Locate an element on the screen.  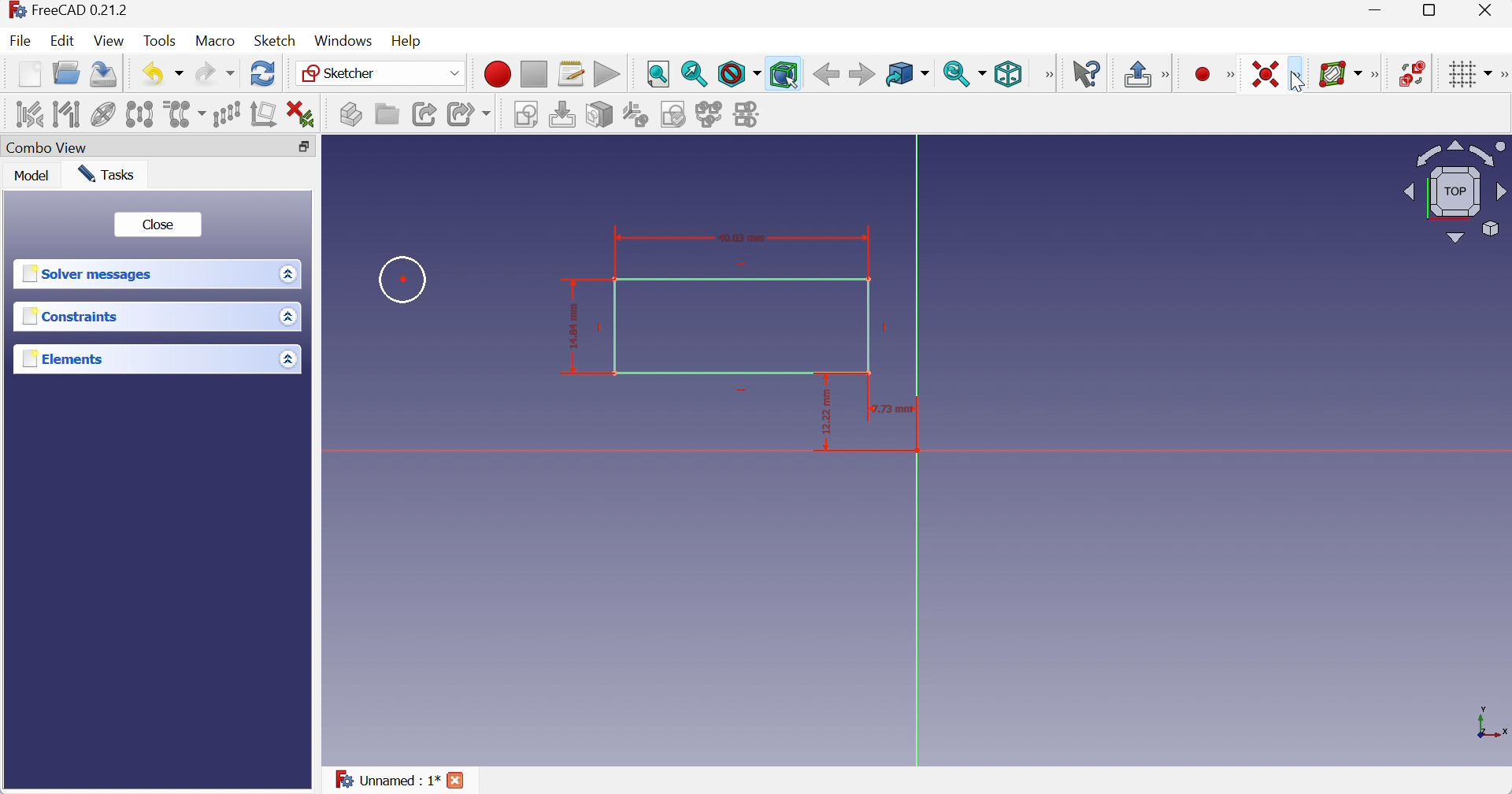
[View] is located at coordinates (1046, 75).